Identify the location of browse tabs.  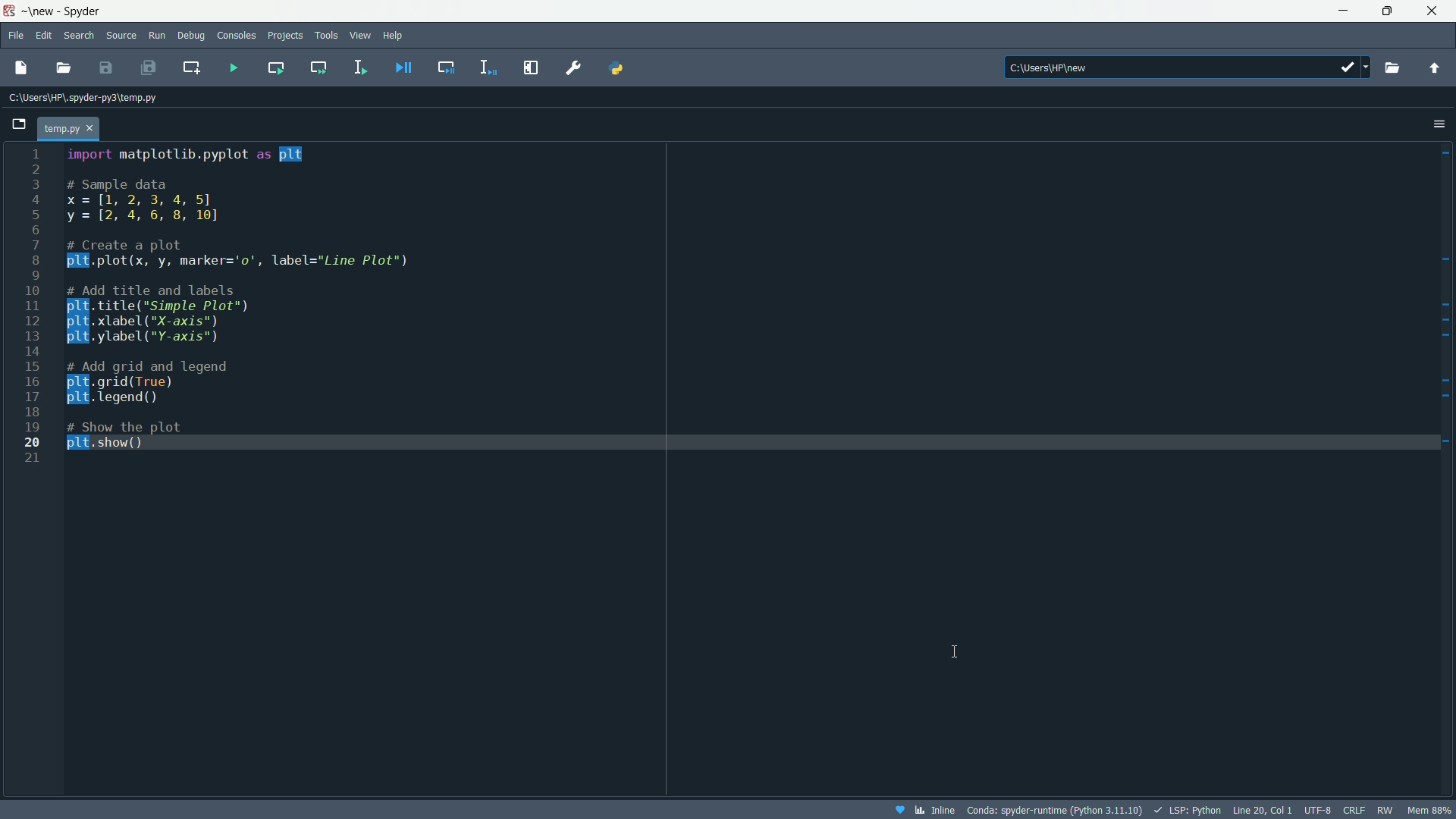
(20, 123).